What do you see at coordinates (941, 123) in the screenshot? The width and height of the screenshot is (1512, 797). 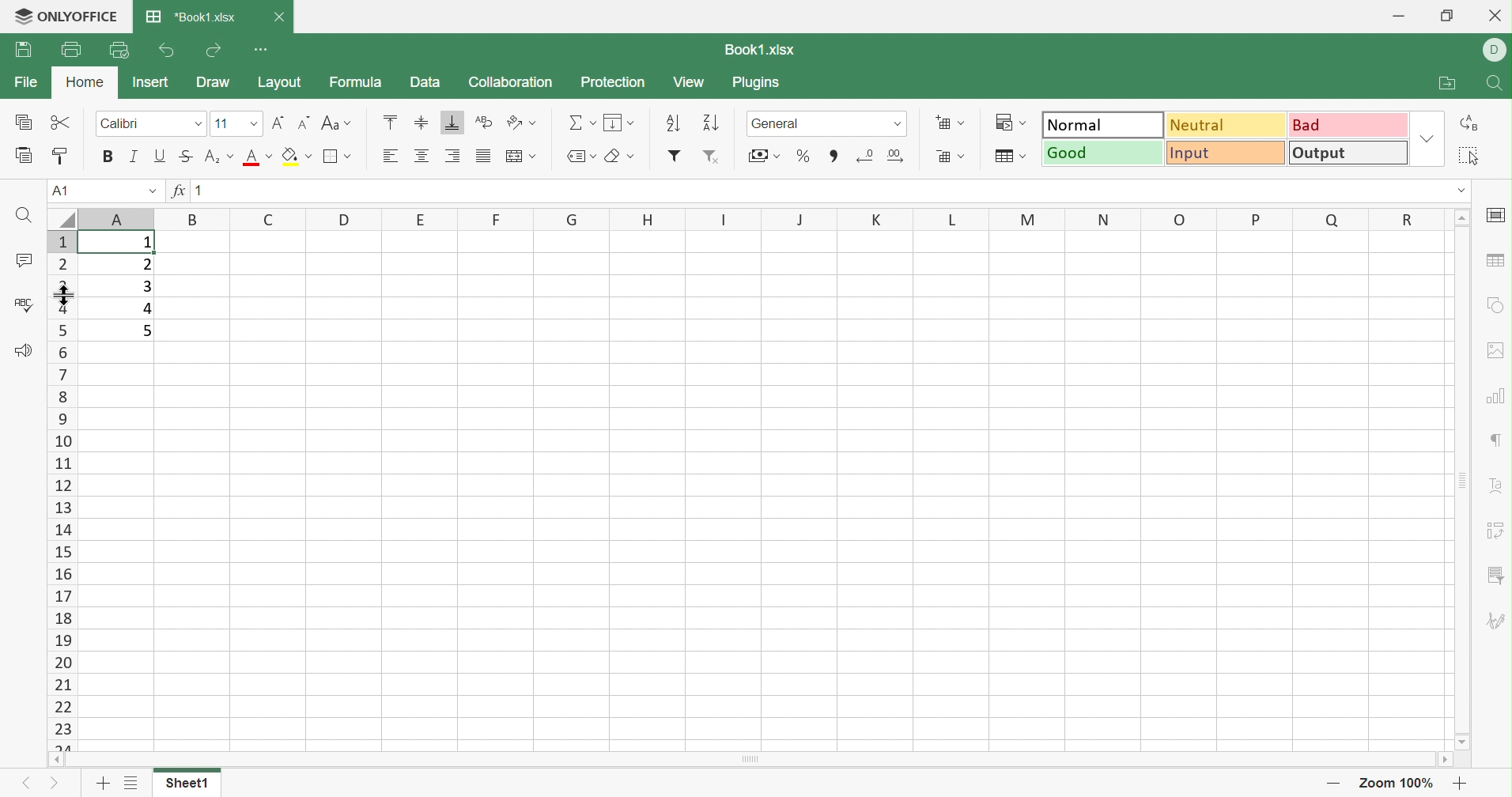 I see `Insert cells` at bounding box center [941, 123].